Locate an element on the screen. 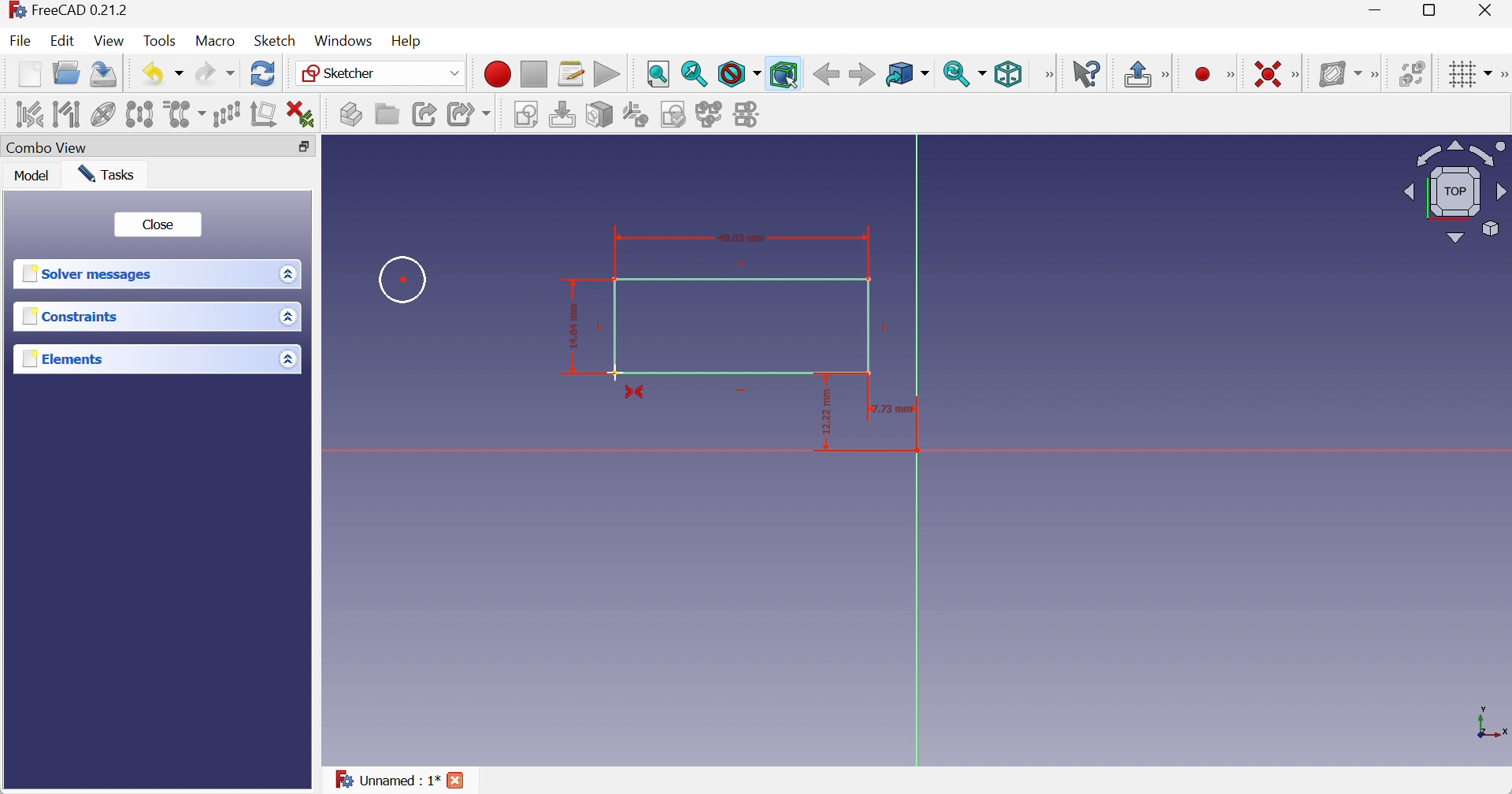  Close is located at coordinates (1486, 11).